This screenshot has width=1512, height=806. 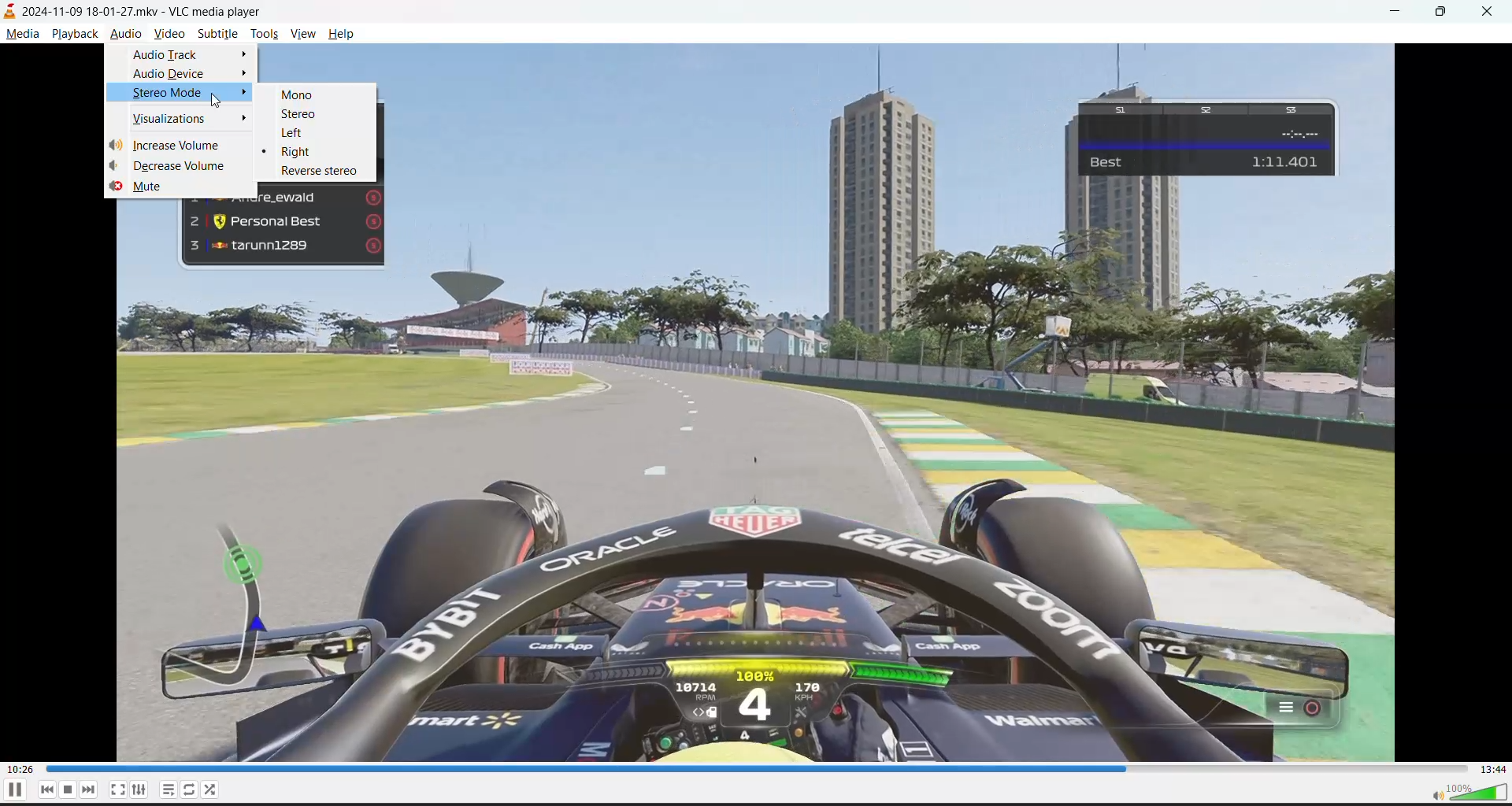 What do you see at coordinates (1488, 14) in the screenshot?
I see `close` at bounding box center [1488, 14].